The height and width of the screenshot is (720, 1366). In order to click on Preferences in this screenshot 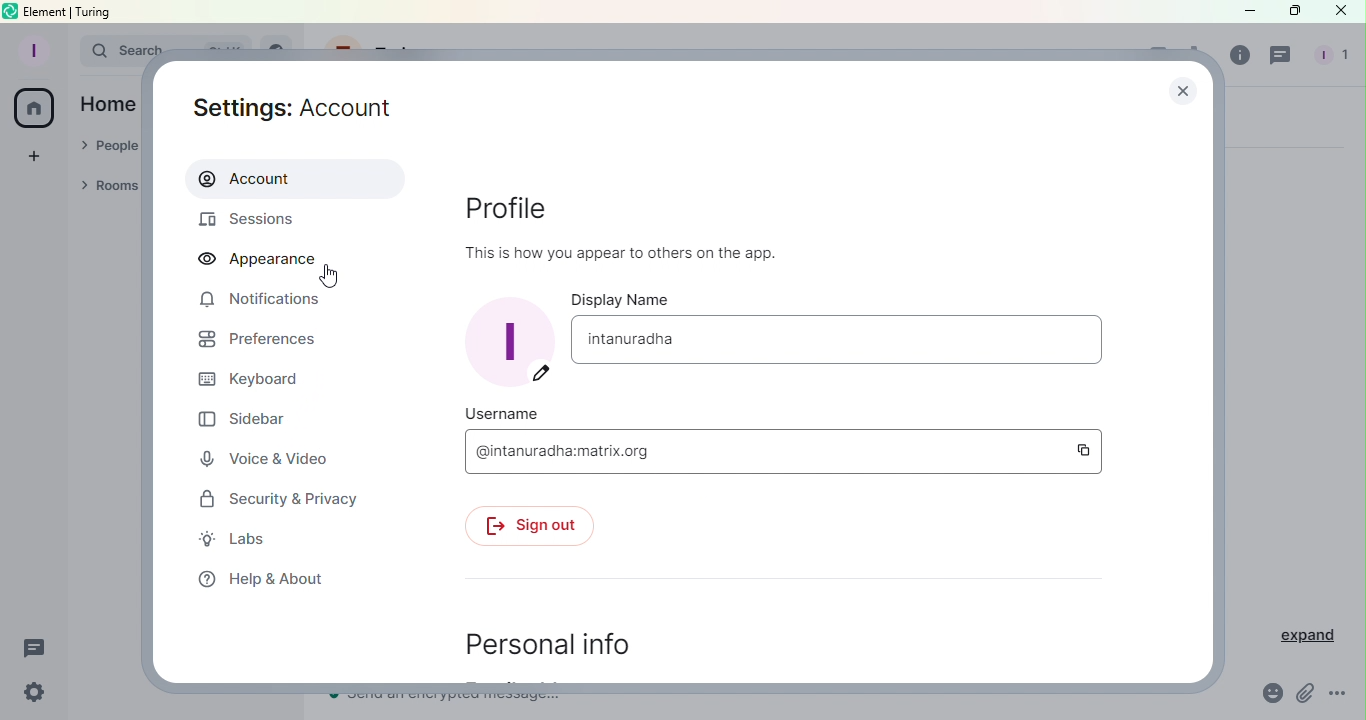, I will do `click(257, 342)`.